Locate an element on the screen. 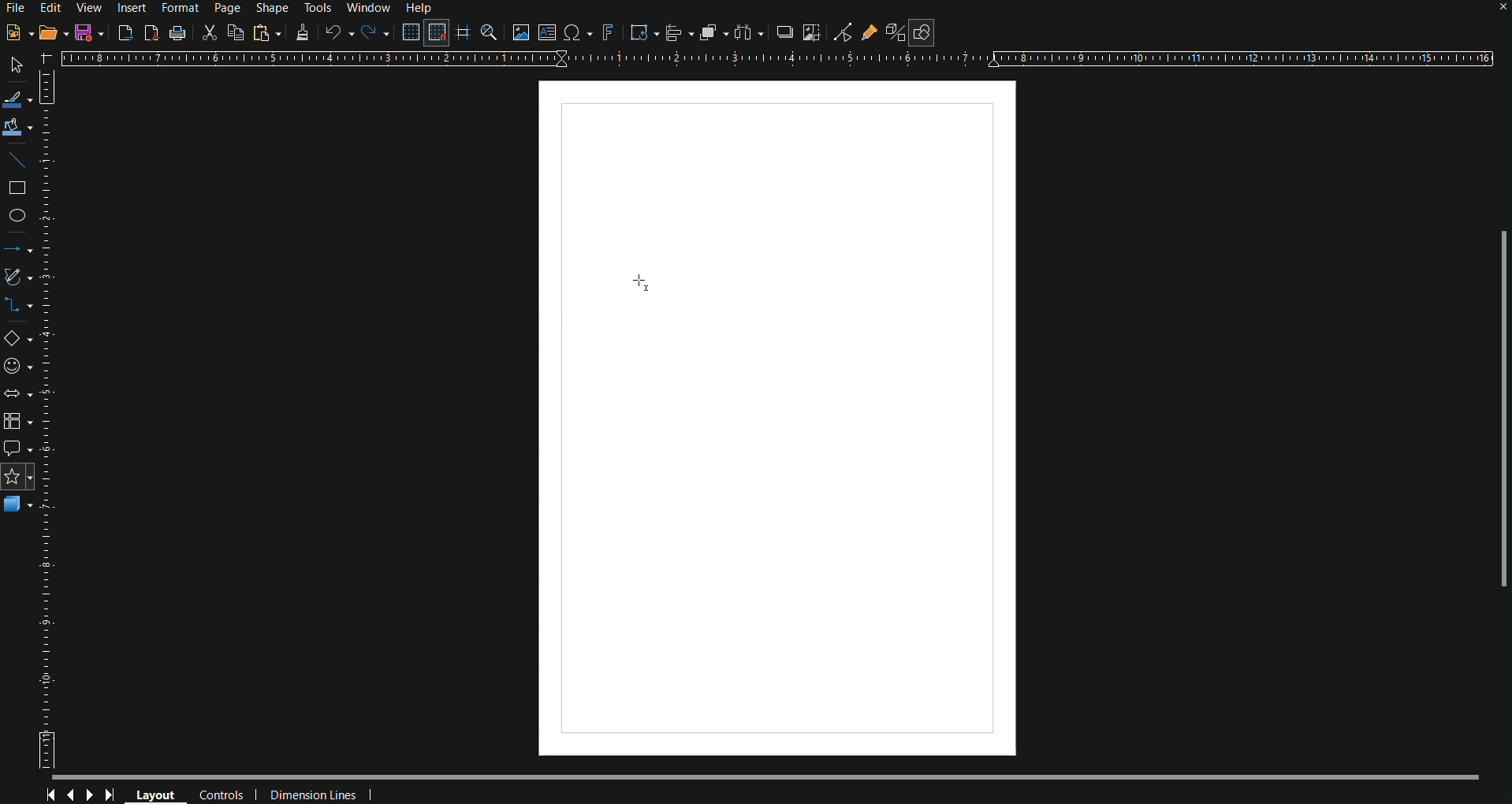 The height and width of the screenshot is (804, 1512). Controls is located at coordinates (81, 795).